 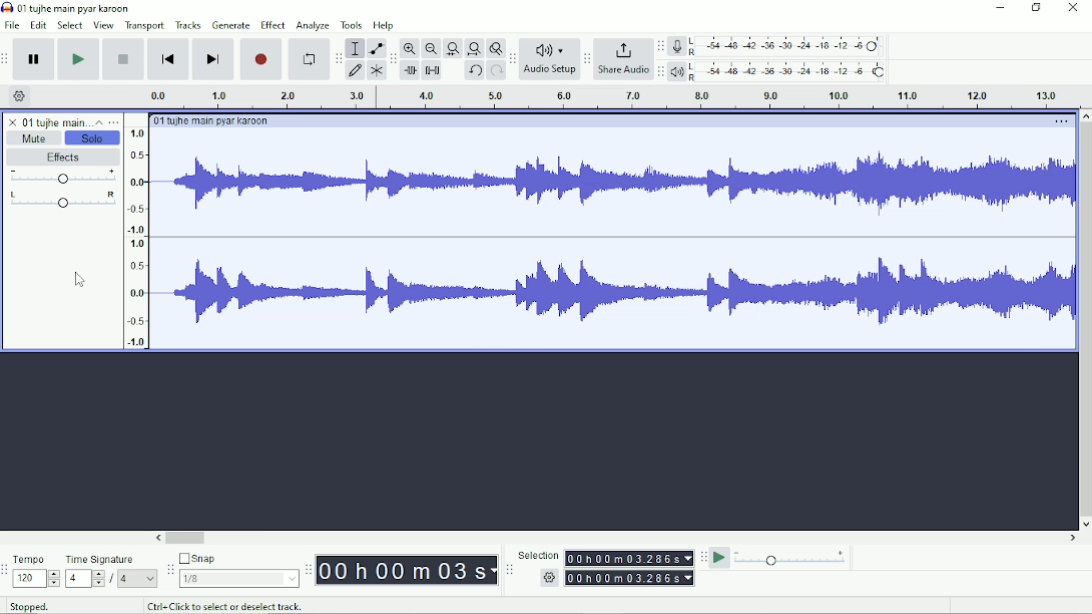 What do you see at coordinates (508, 571) in the screenshot?
I see `Audacity selection toolbar` at bounding box center [508, 571].